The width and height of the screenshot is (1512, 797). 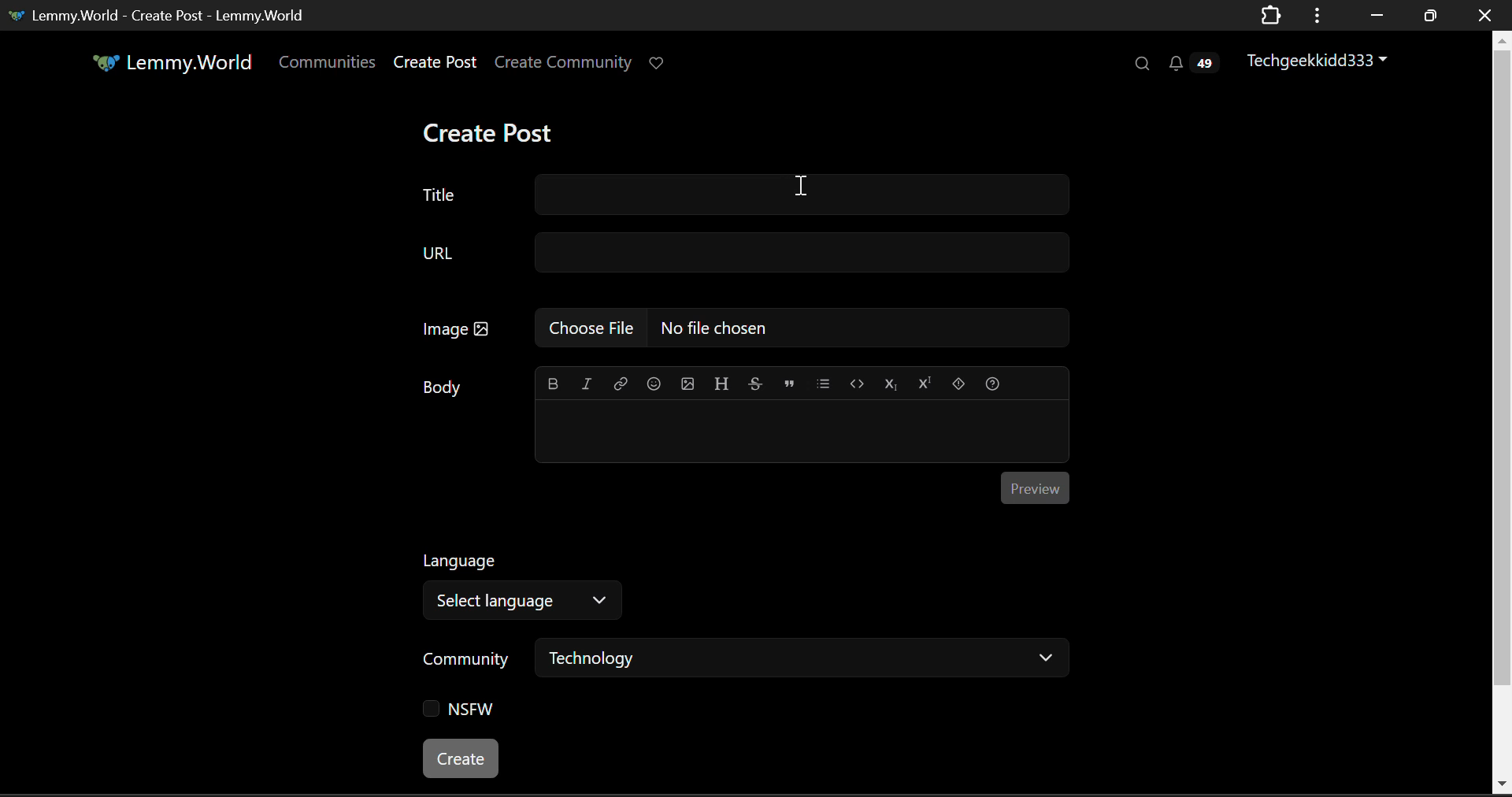 What do you see at coordinates (463, 759) in the screenshot?
I see `Create` at bounding box center [463, 759].